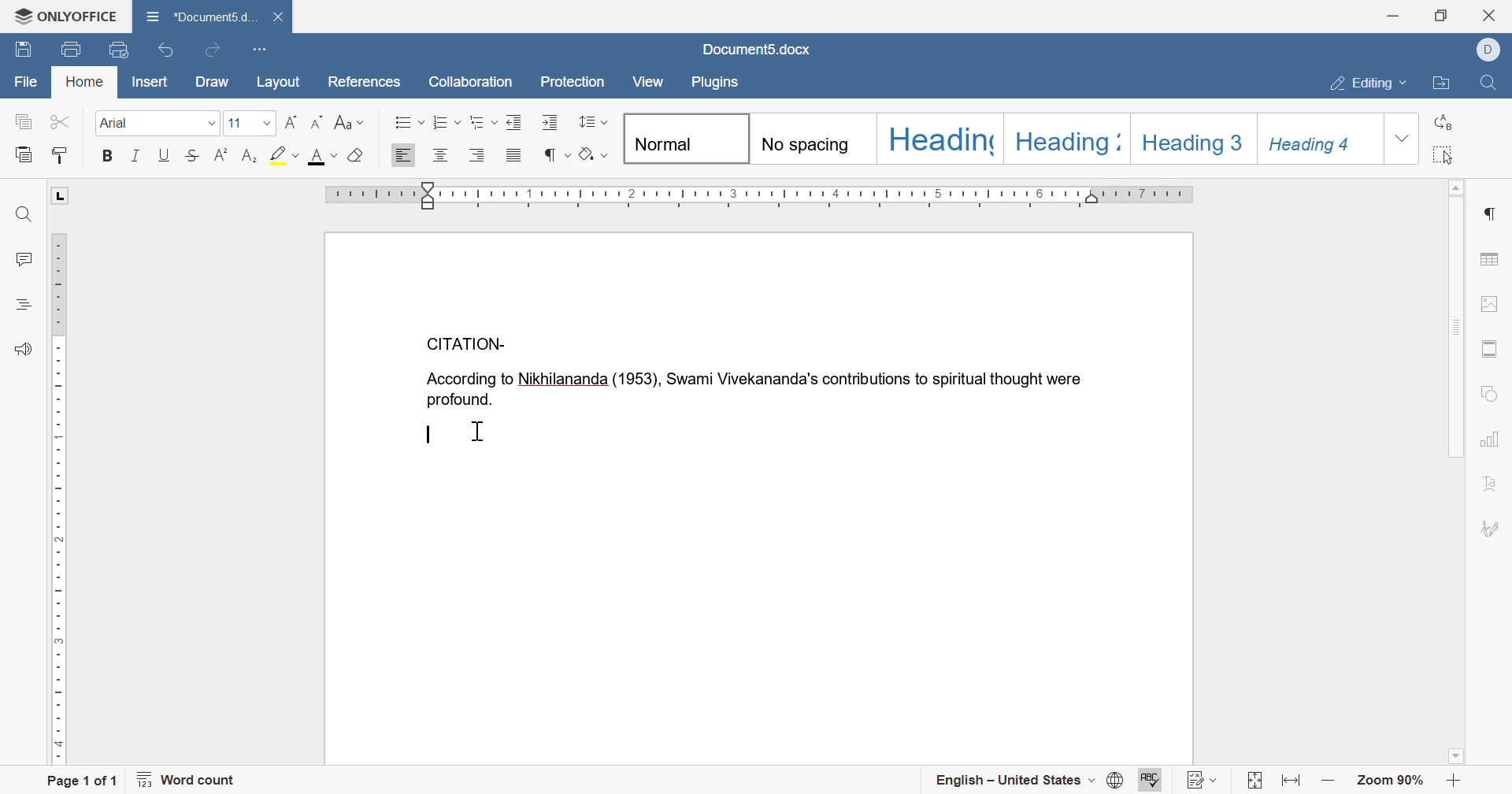 This screenshot has width=1512, height=794. I want to click on bold, so click(110, 155).